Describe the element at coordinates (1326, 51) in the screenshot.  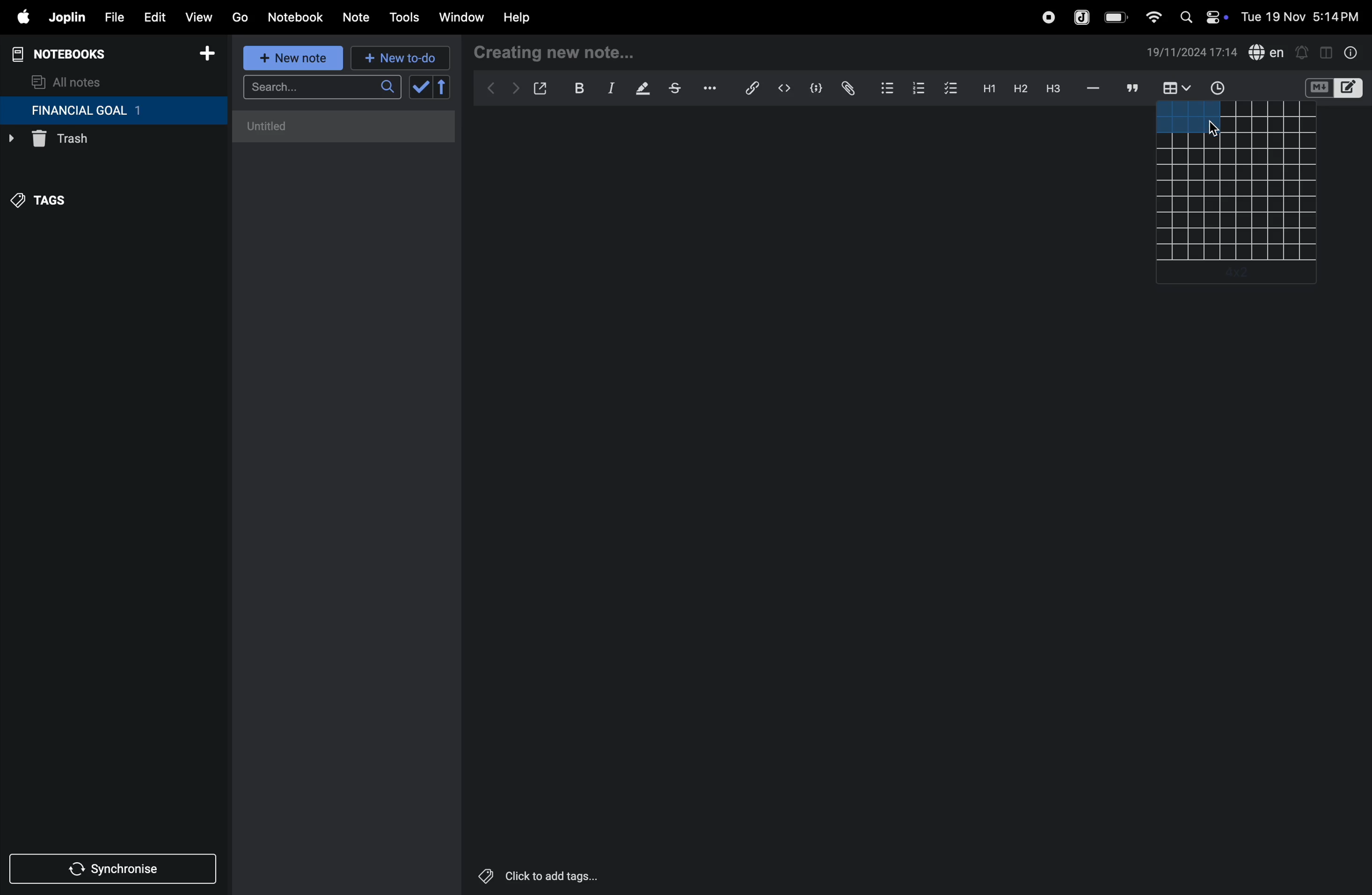
I see `toggle editor` at that location.